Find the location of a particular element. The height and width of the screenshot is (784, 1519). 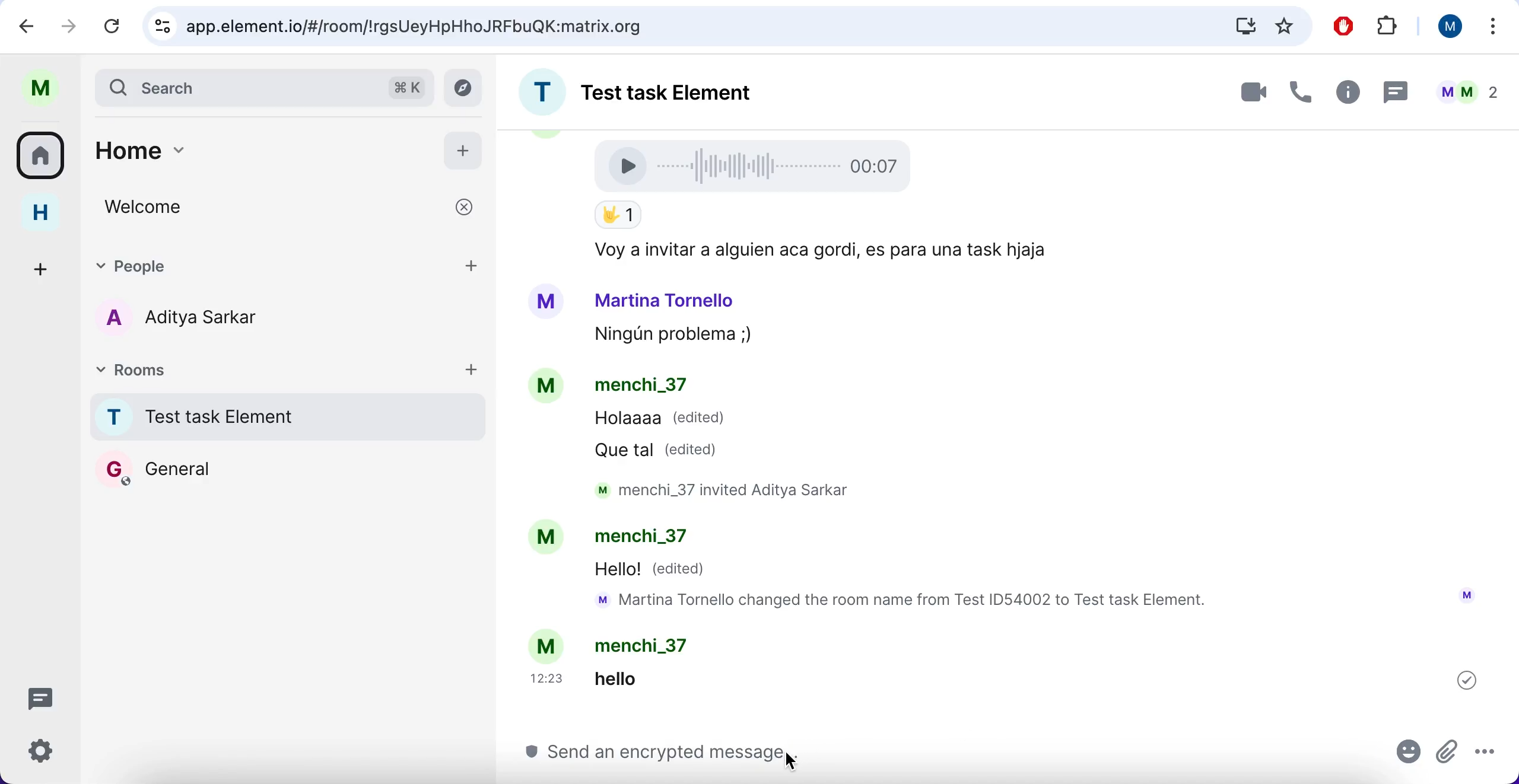

go one page forward is located at coordinates (72, 25).